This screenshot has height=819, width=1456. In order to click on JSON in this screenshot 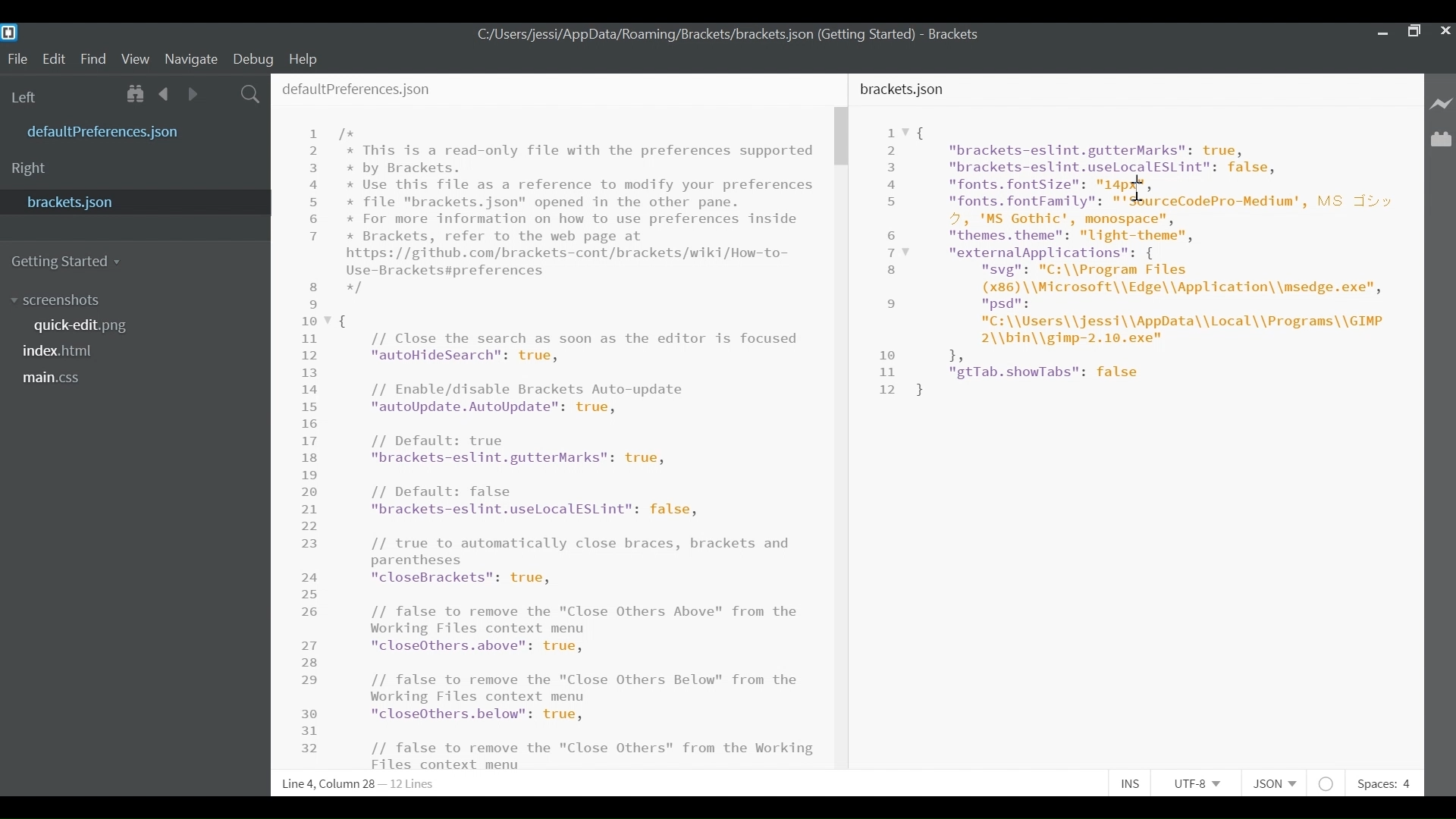, I will do `click(1279, 783)`.